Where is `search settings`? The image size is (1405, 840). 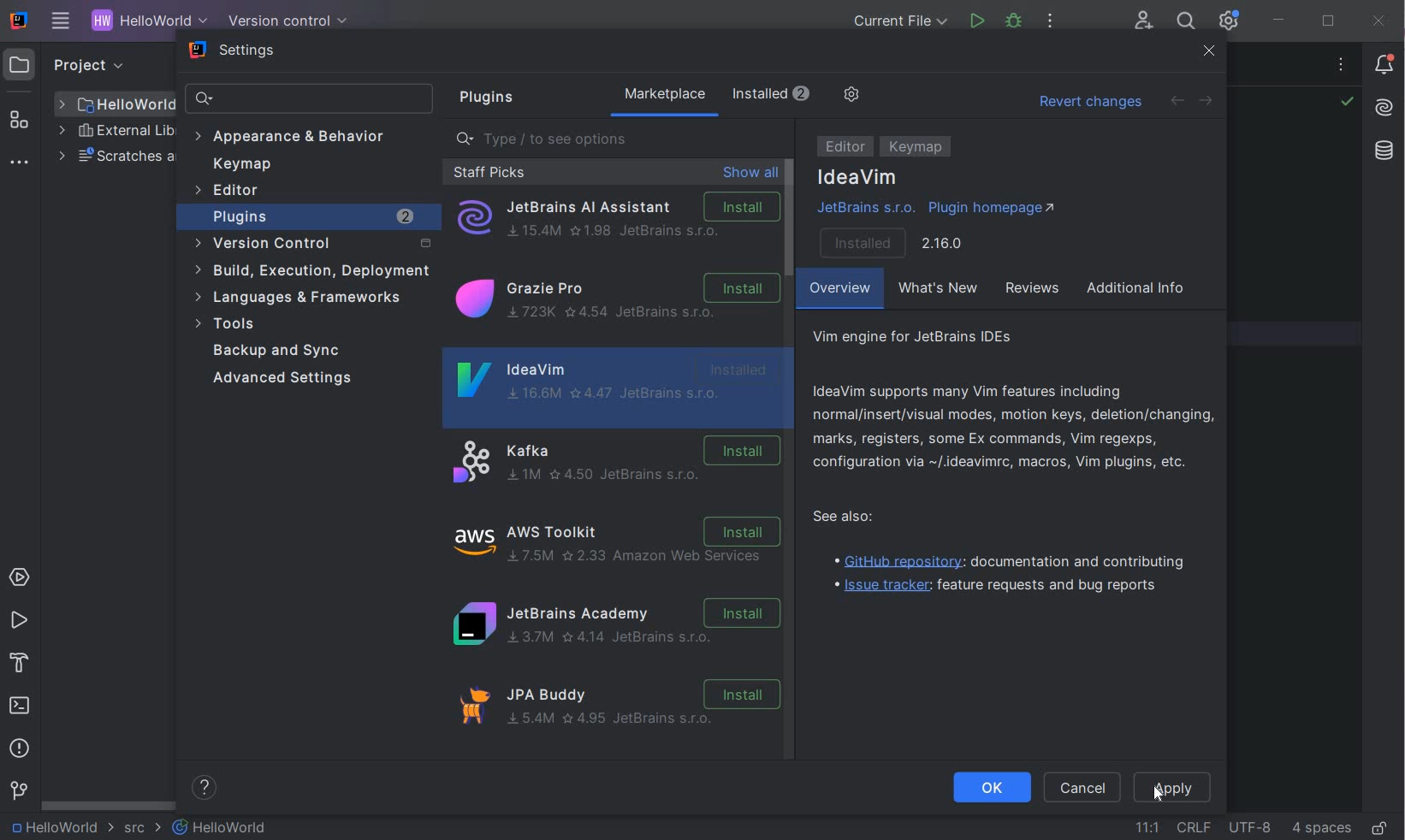 search settings is located at coordinates (311, 99).